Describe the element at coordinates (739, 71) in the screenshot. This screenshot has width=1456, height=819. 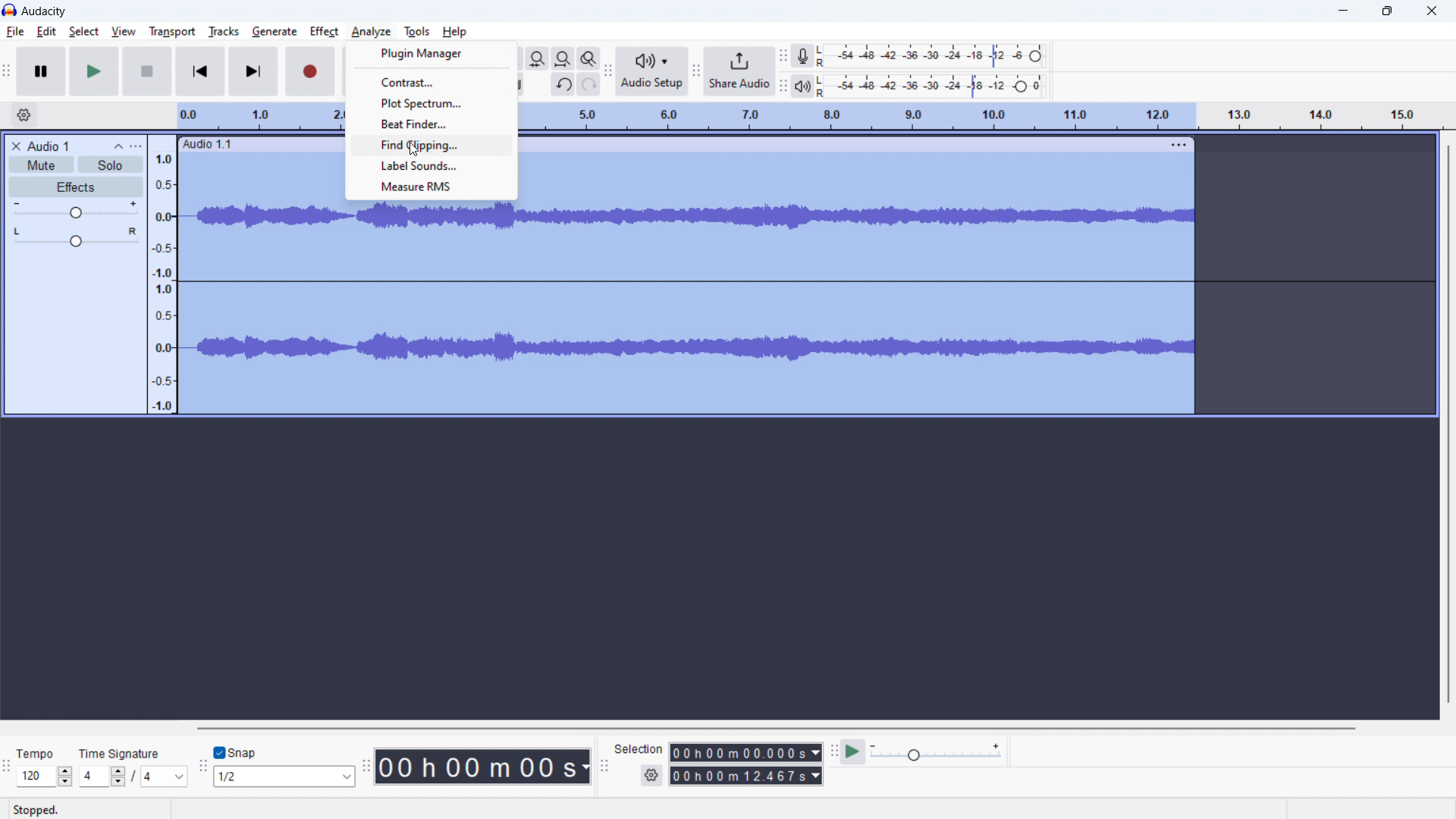
I see `share audio` at that location.